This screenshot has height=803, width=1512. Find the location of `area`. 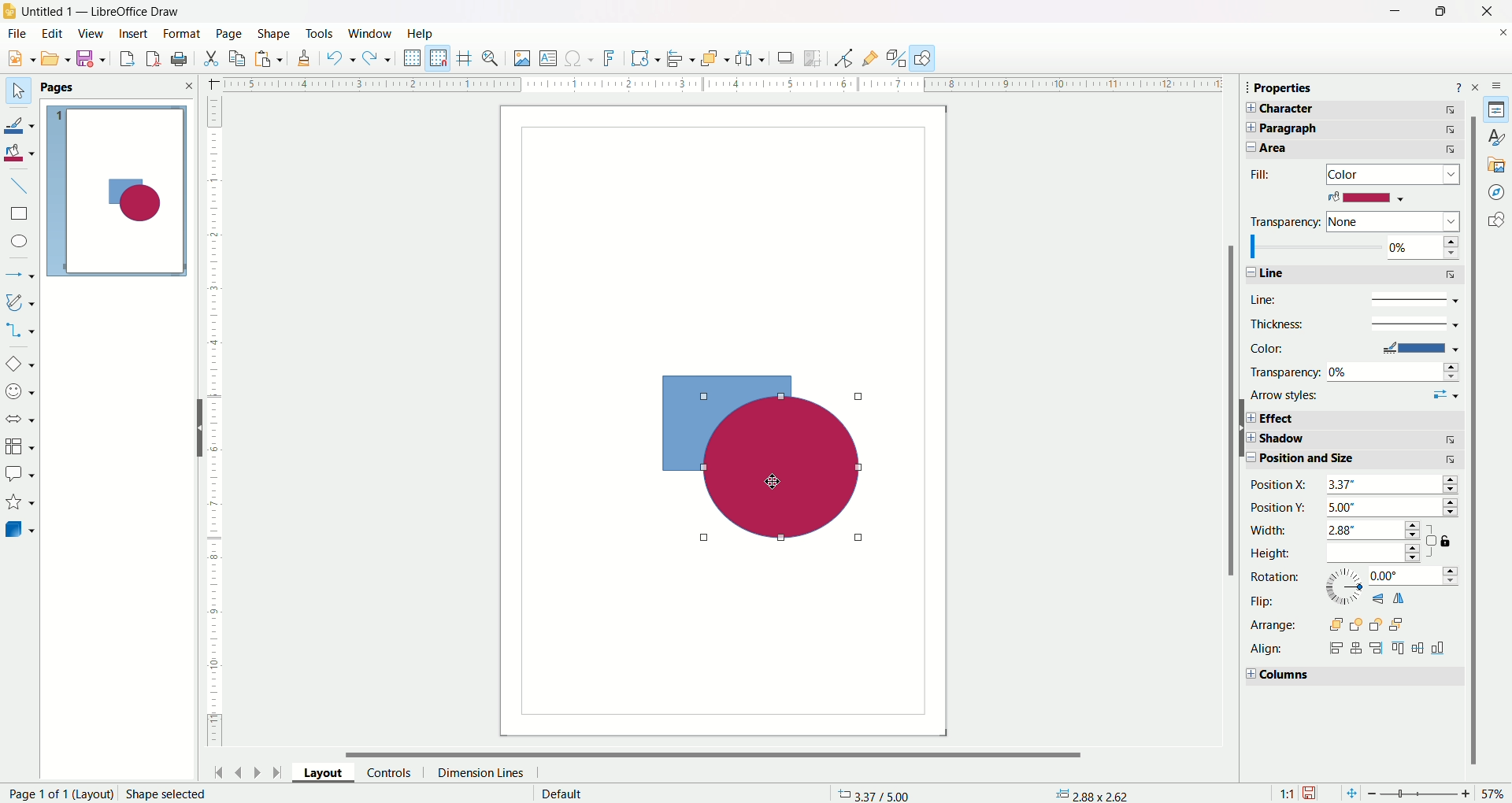

area is located at coordinates (1357, 150).